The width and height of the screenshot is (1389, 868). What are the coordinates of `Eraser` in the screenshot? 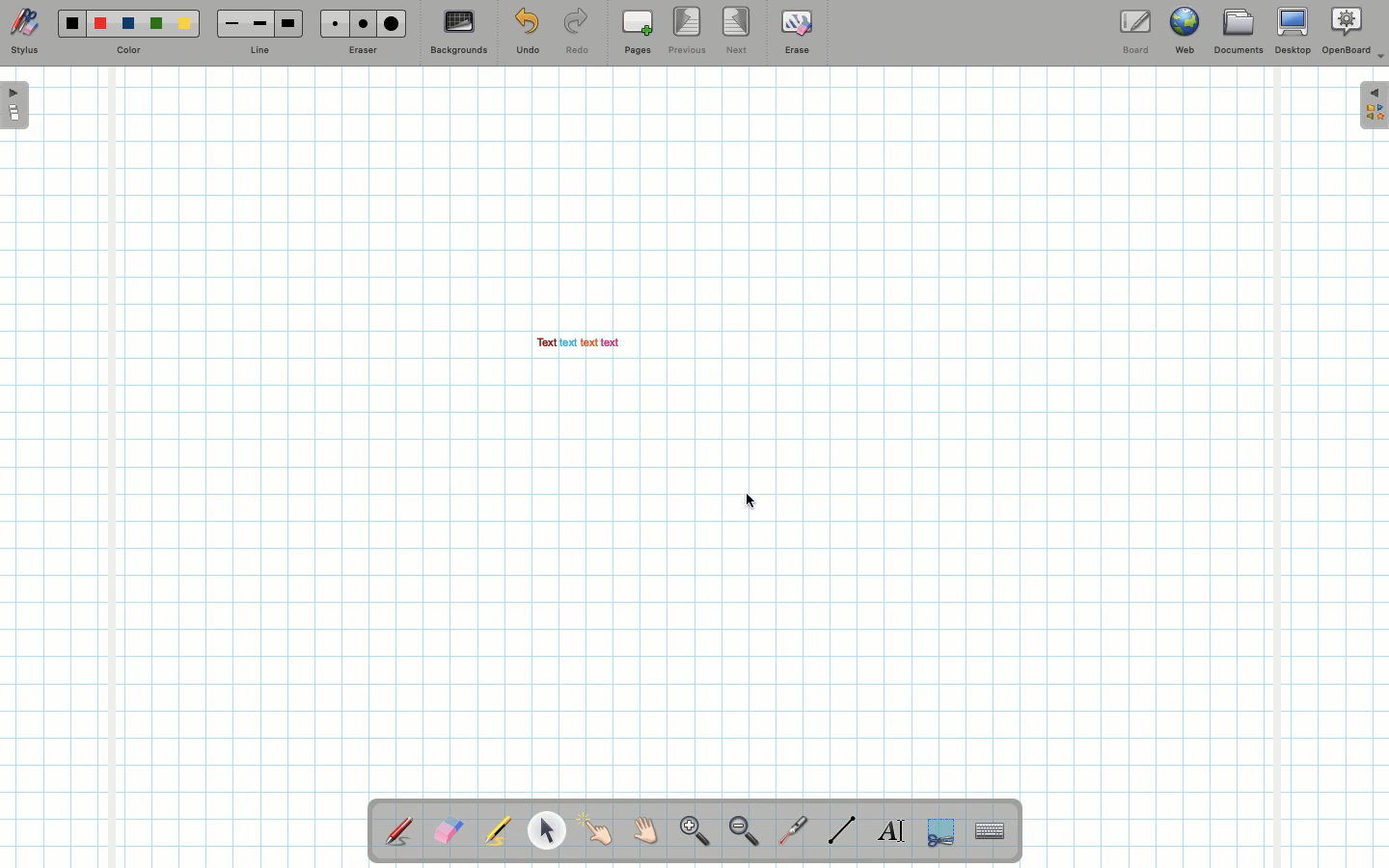 It's located at (362, 52).